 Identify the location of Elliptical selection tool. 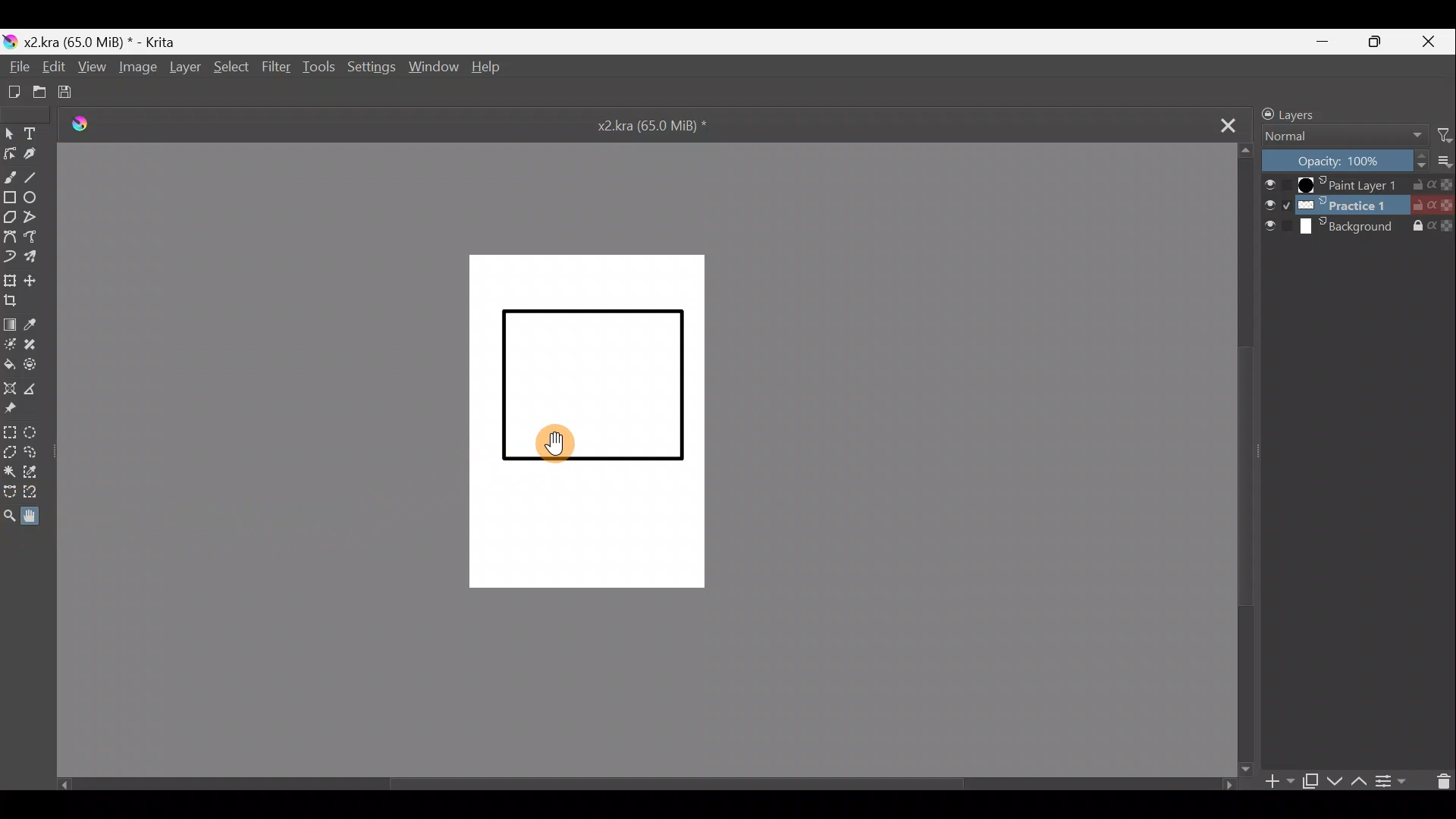
(35, 434).